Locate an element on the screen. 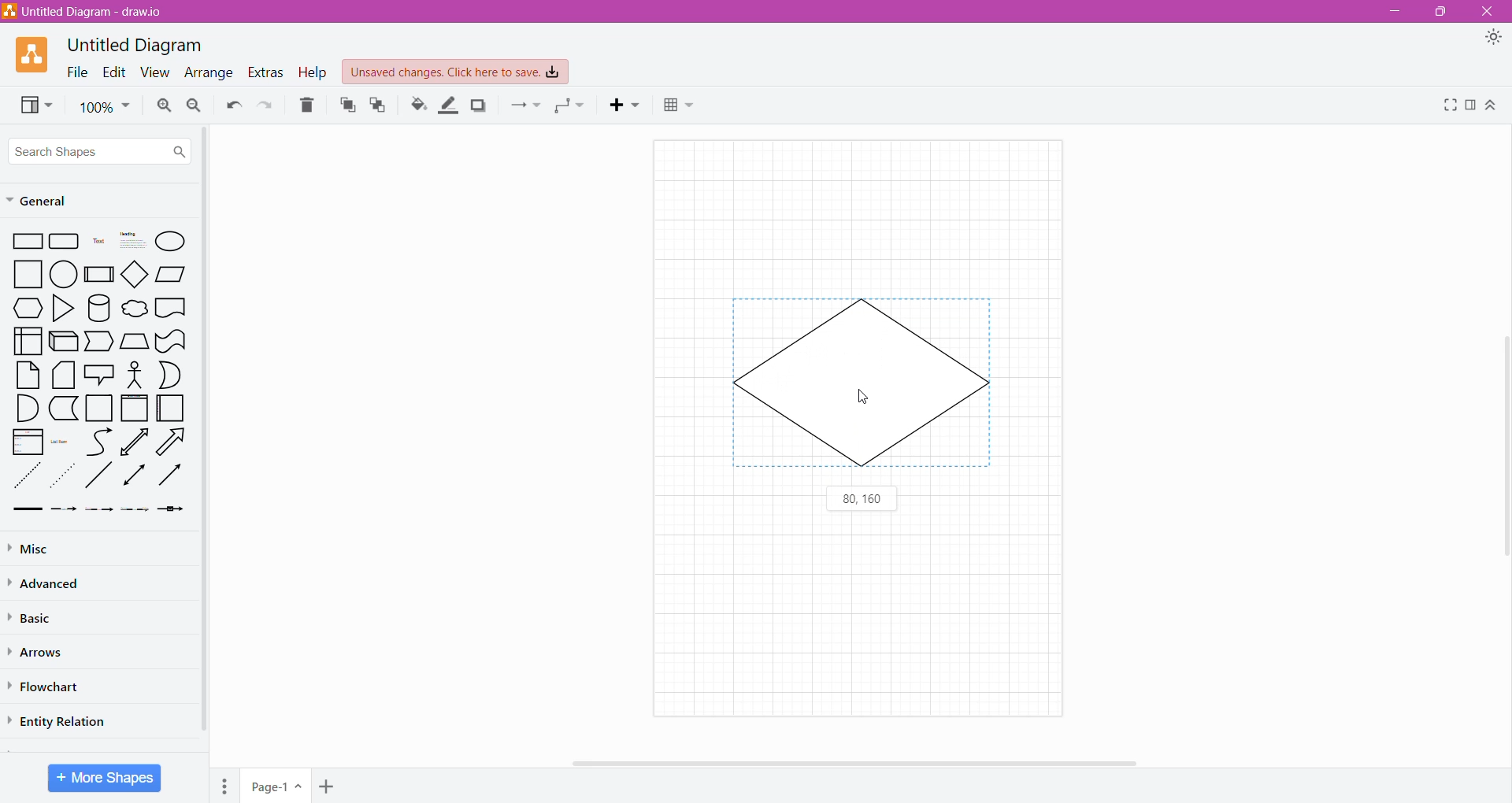  File is located at coordinates (73, 72).